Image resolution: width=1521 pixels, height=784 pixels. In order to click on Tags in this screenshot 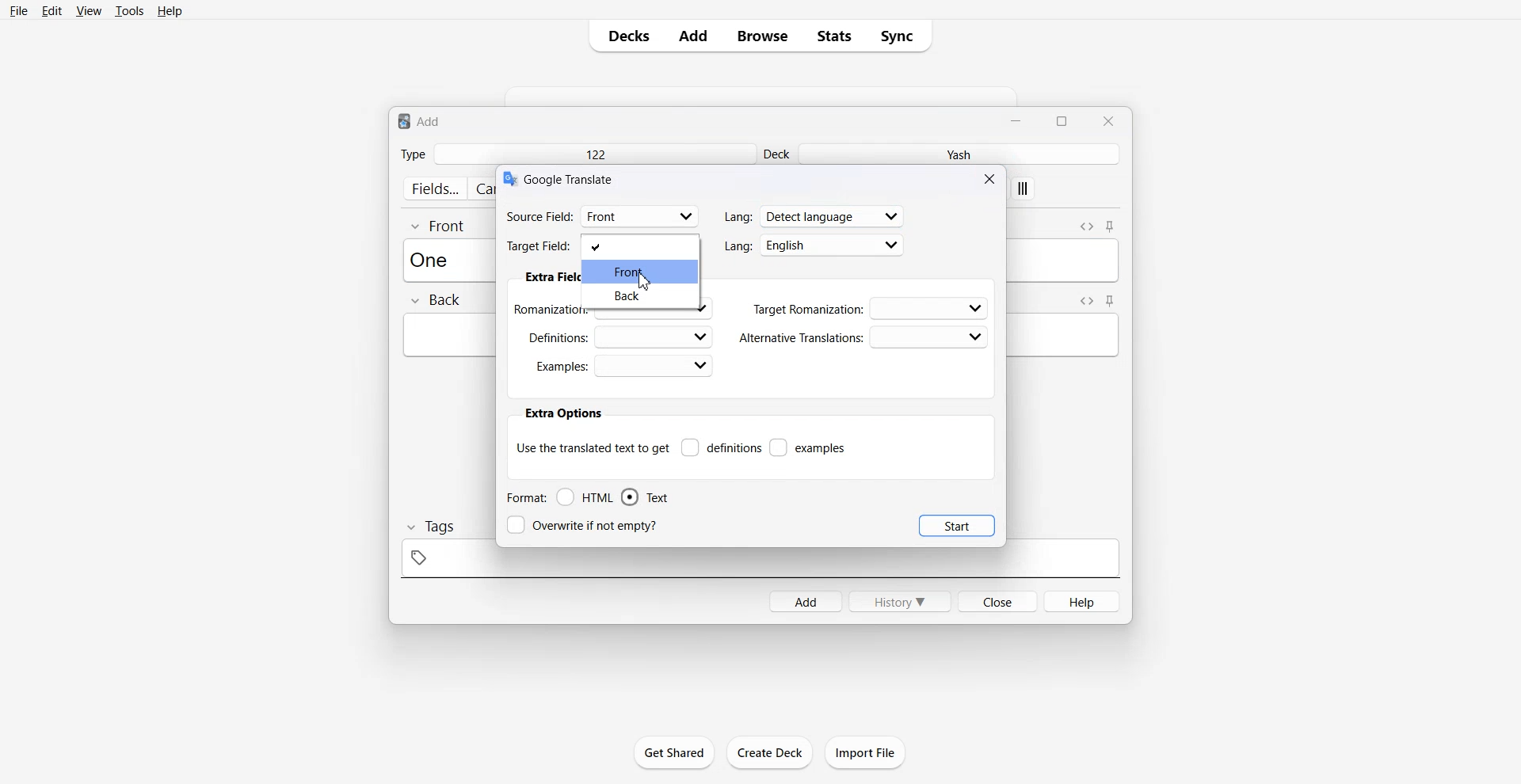, I will do `click(429, 527)`.